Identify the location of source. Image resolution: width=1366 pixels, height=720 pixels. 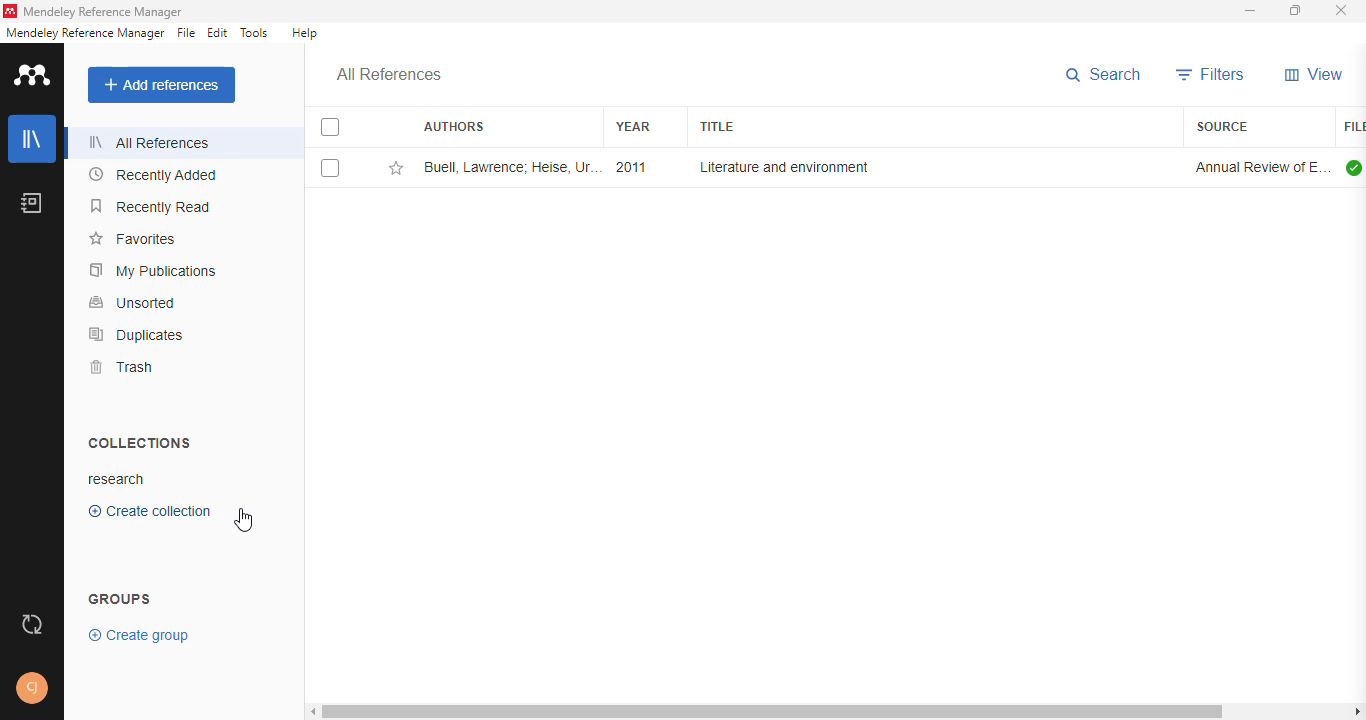
(1222, 126).